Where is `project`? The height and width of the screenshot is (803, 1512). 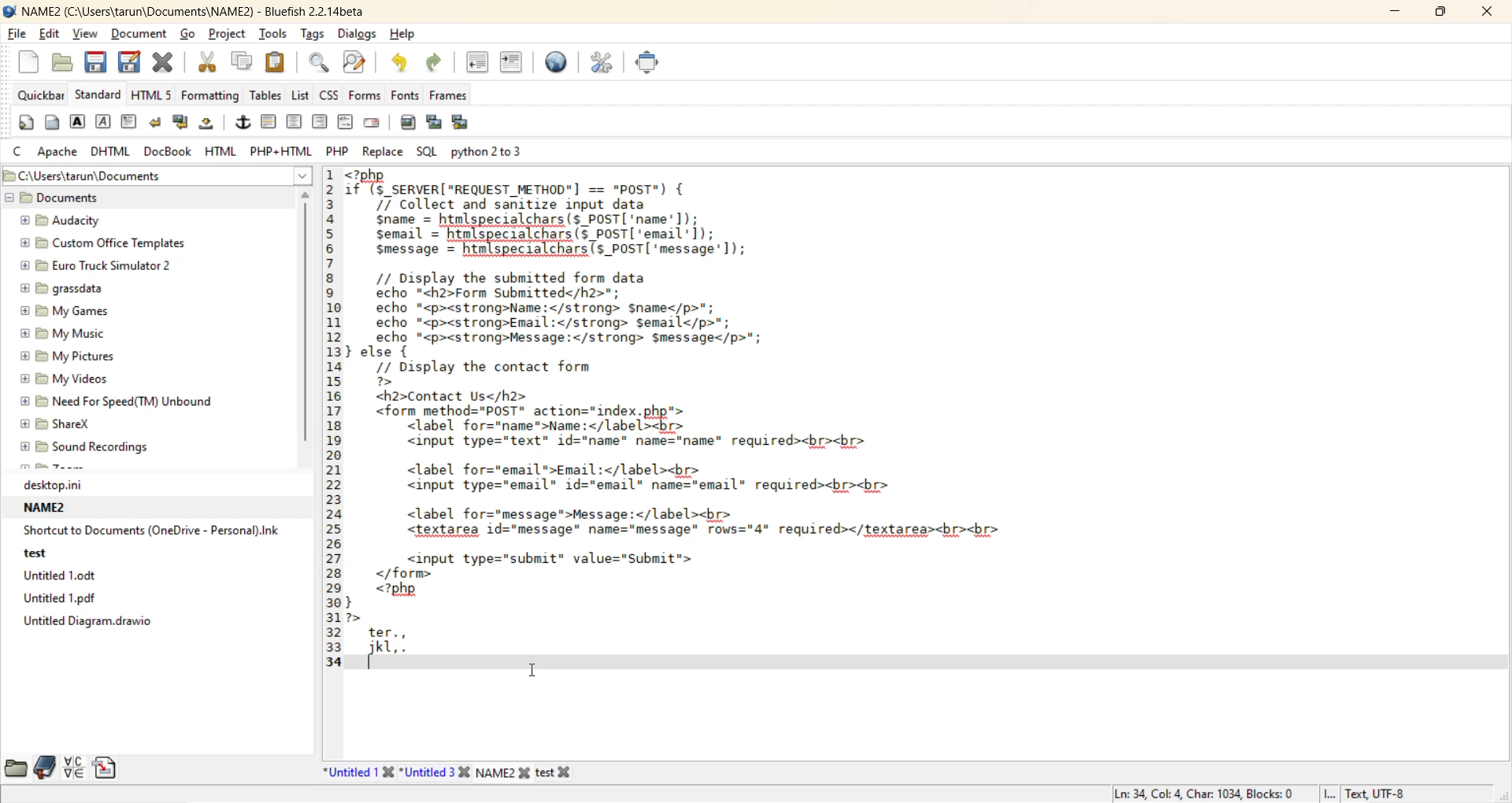 project is located at coordinates (227, 36).